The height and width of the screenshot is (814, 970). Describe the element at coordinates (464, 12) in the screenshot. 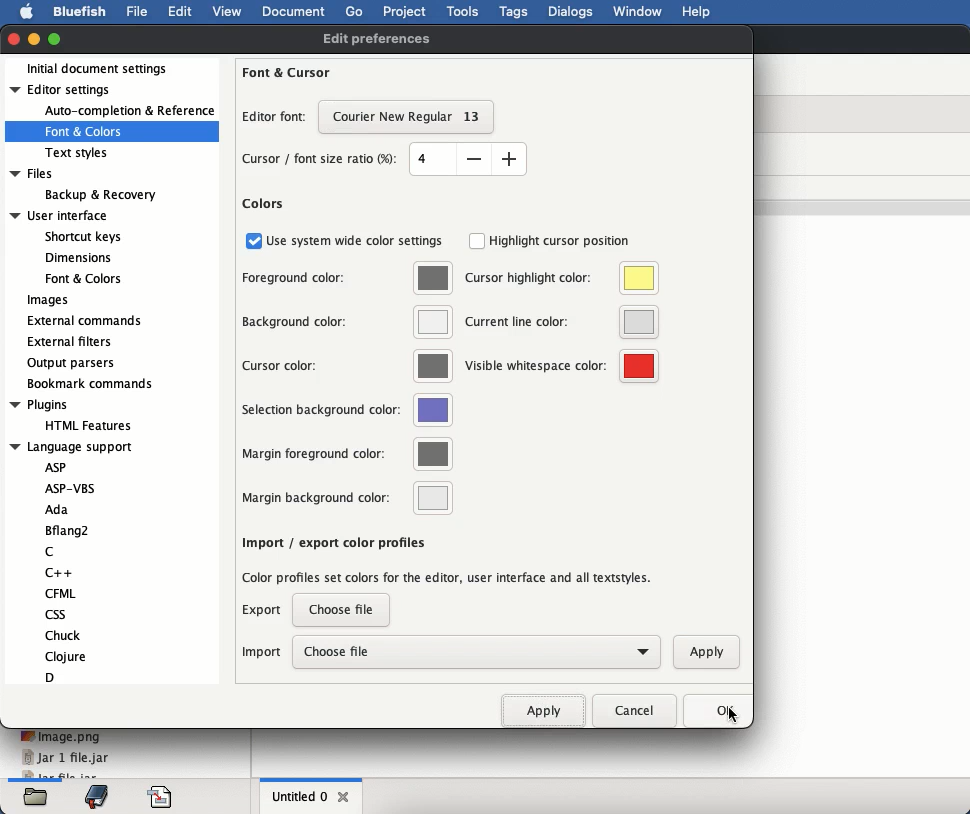

I see `tools` at that location.